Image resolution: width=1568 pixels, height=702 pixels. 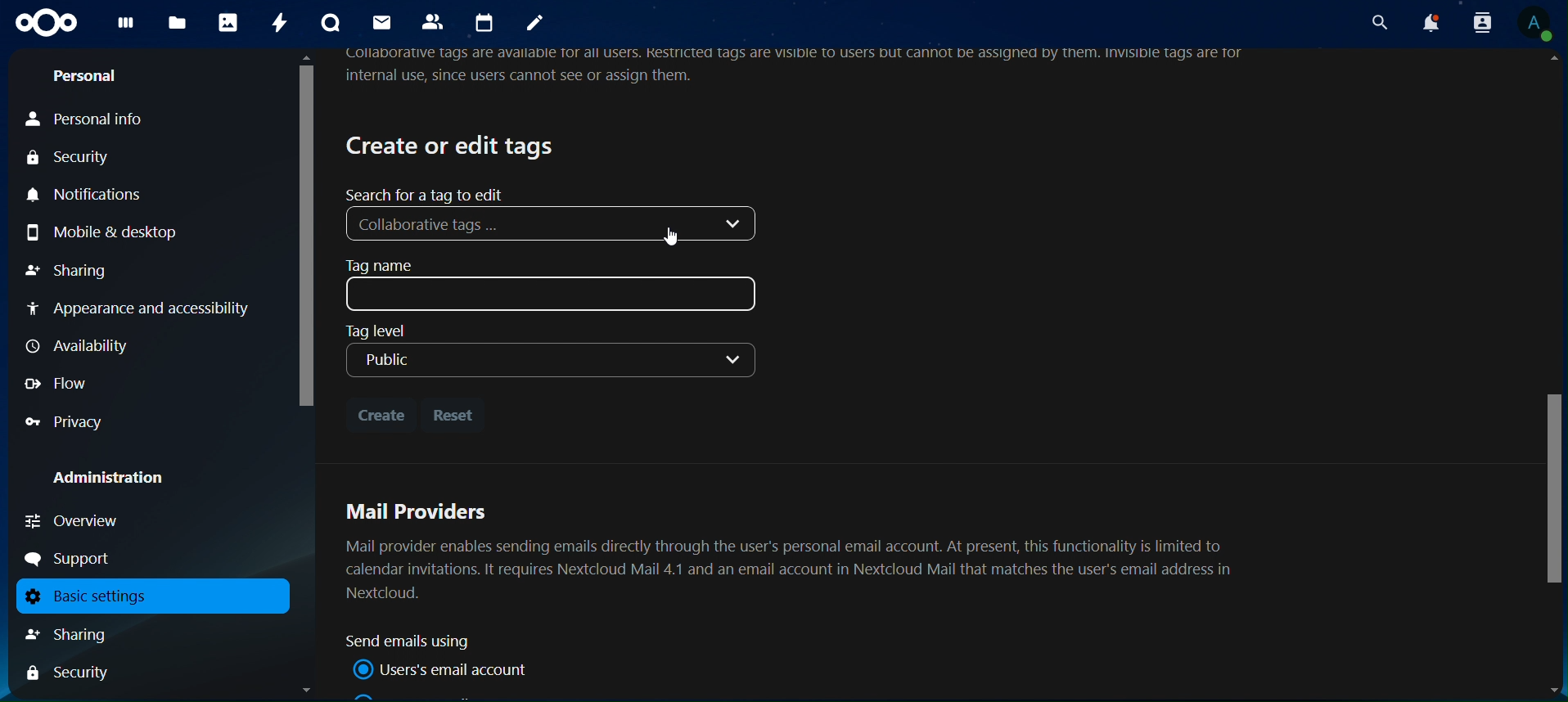 What do you see at coordinates (126, 27) in the screenshot?
I see `dashboard` at bounding box center [126, 27].